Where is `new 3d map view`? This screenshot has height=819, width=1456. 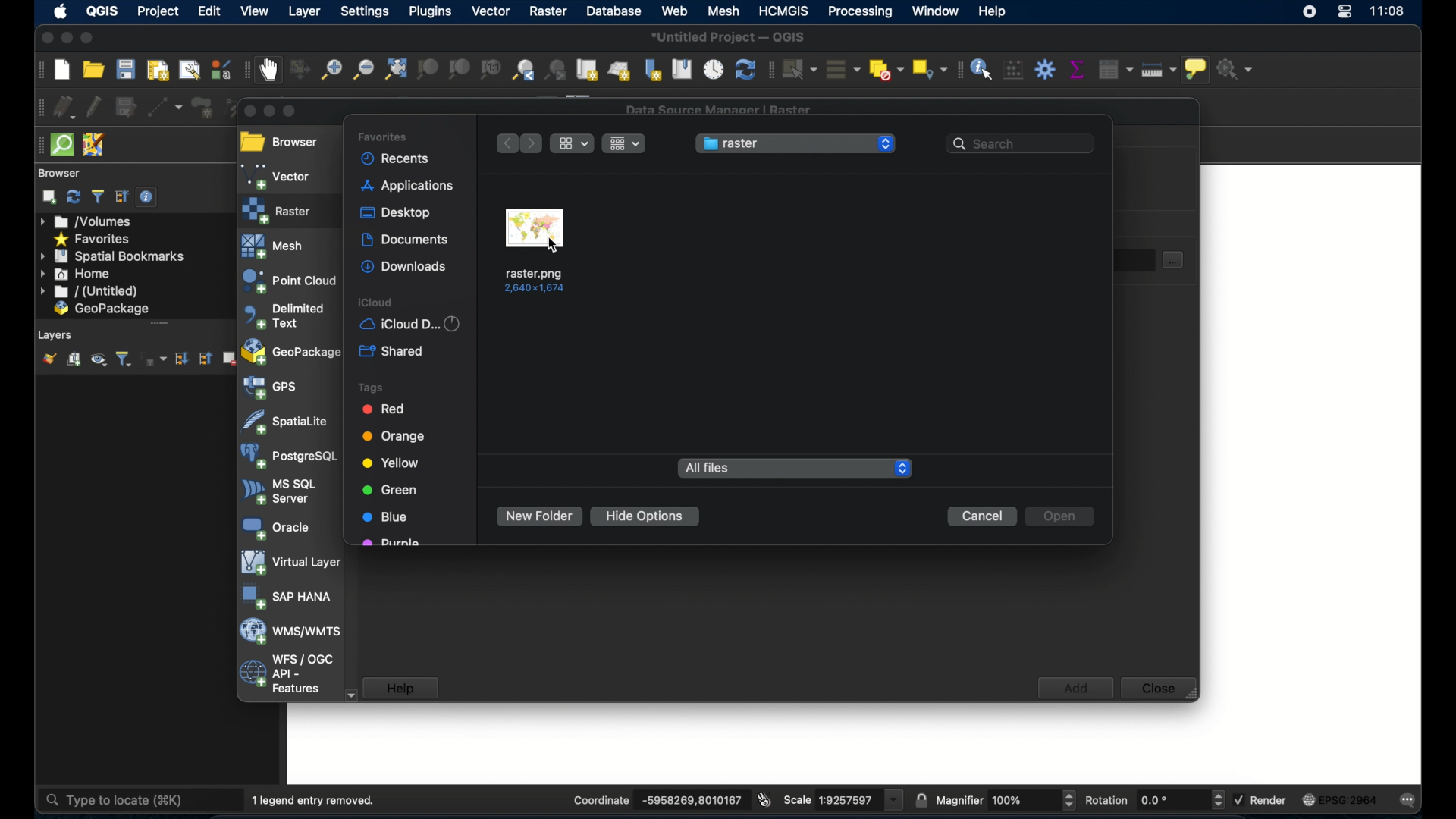
new 3d map view is located at coordinates (620, 72).